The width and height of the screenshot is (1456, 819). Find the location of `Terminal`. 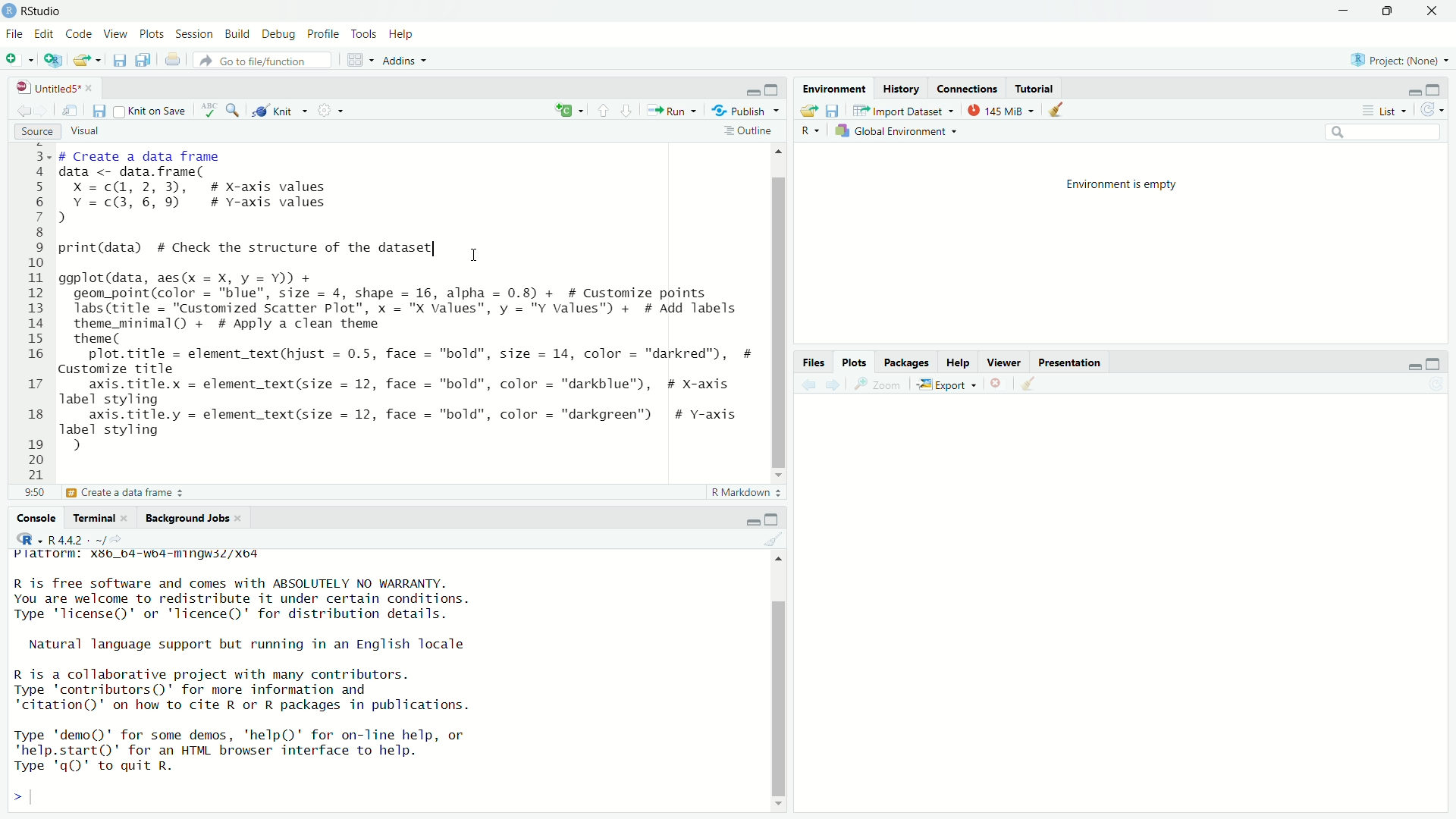

Terminal is located at coordinates (100, 518).